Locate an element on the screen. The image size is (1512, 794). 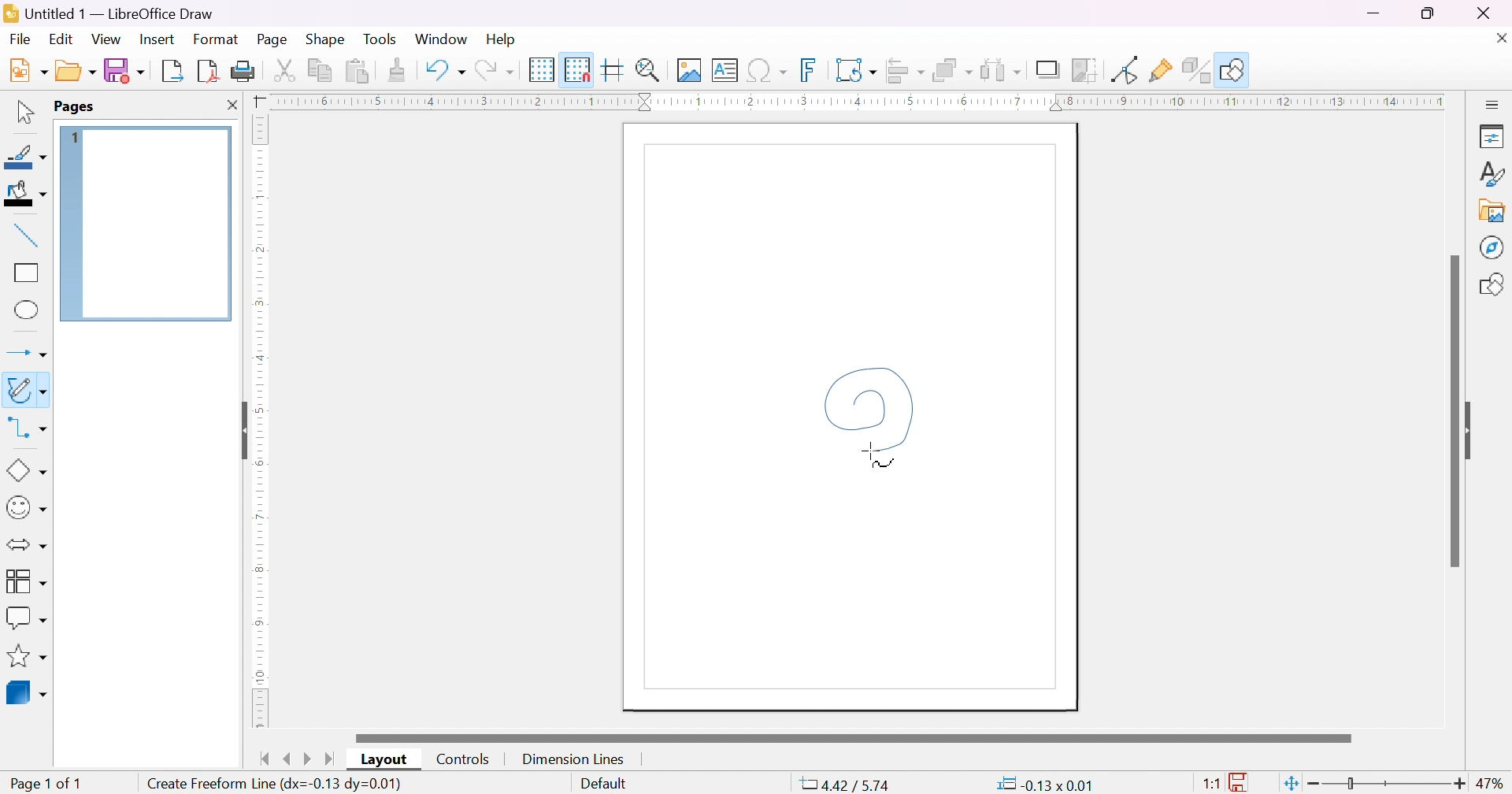
Show gluepoint functions is located at coordinates (1161, 70).